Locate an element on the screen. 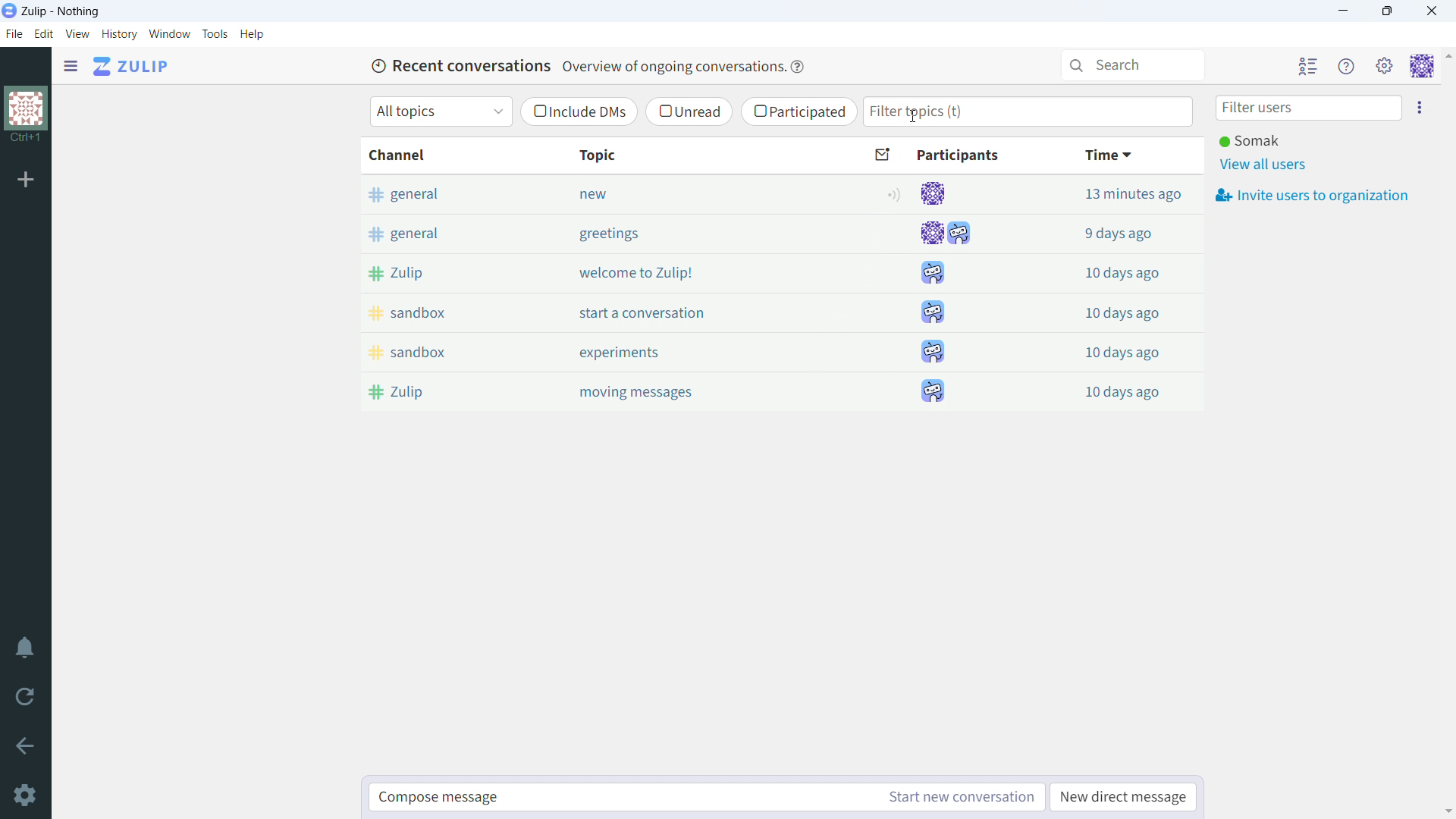 The image size is (1456, 819). zulip is located at coordinates (441, 392).